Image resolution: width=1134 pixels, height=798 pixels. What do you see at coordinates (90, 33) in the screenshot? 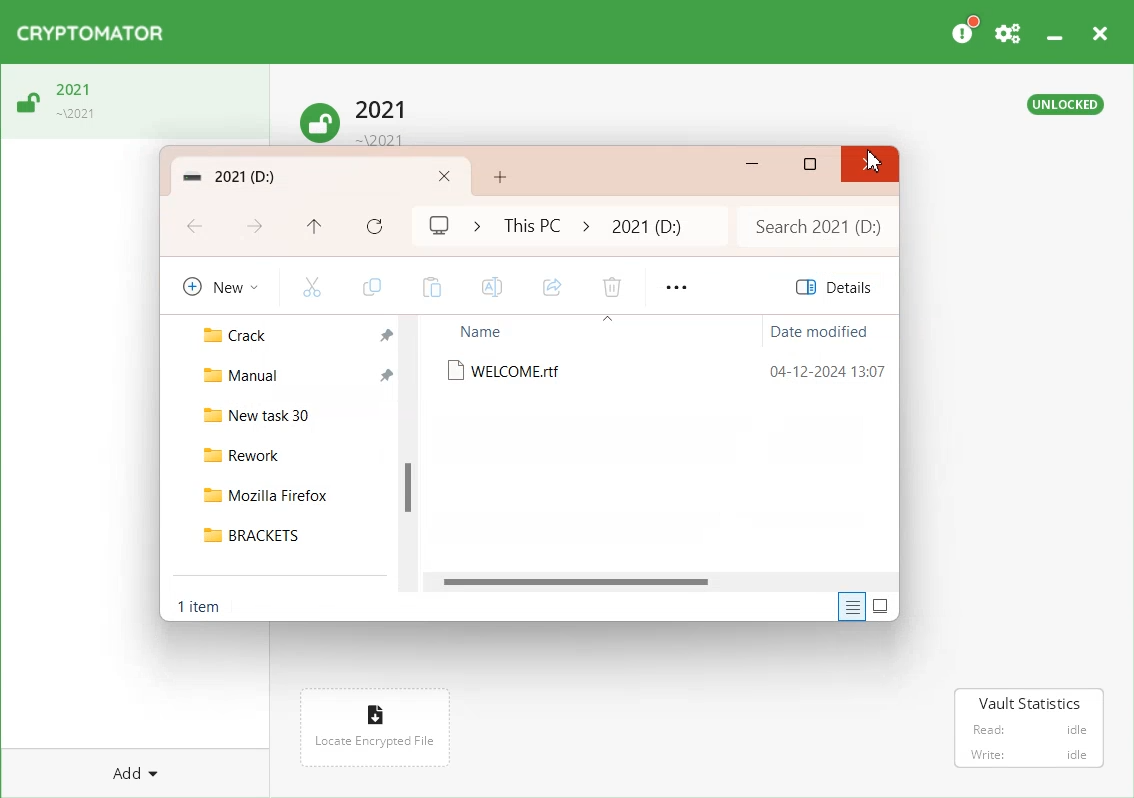
I see `Logo` at bounding box center [90, 33].